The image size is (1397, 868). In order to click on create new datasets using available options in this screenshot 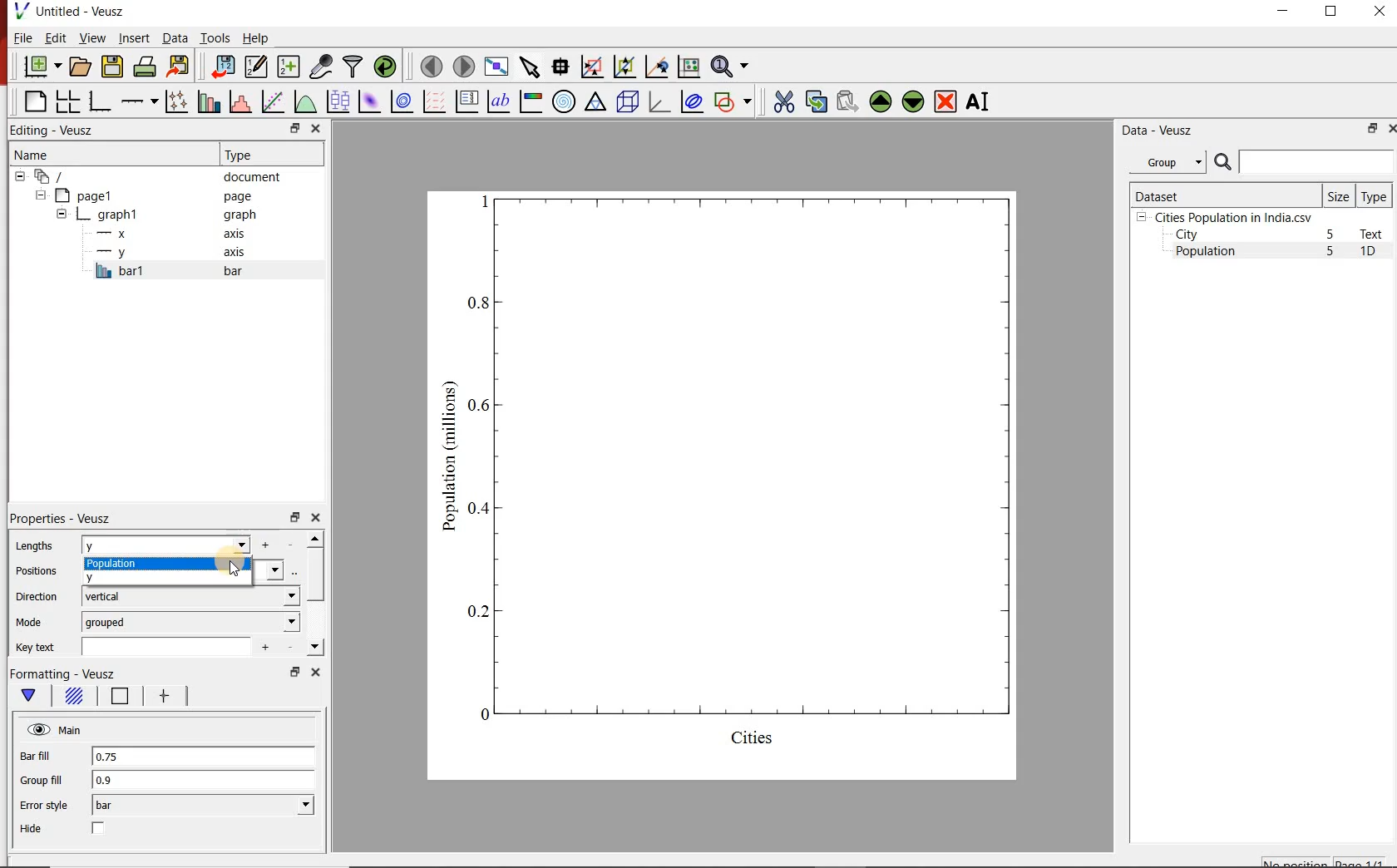, I will do `click(286, 67)`.